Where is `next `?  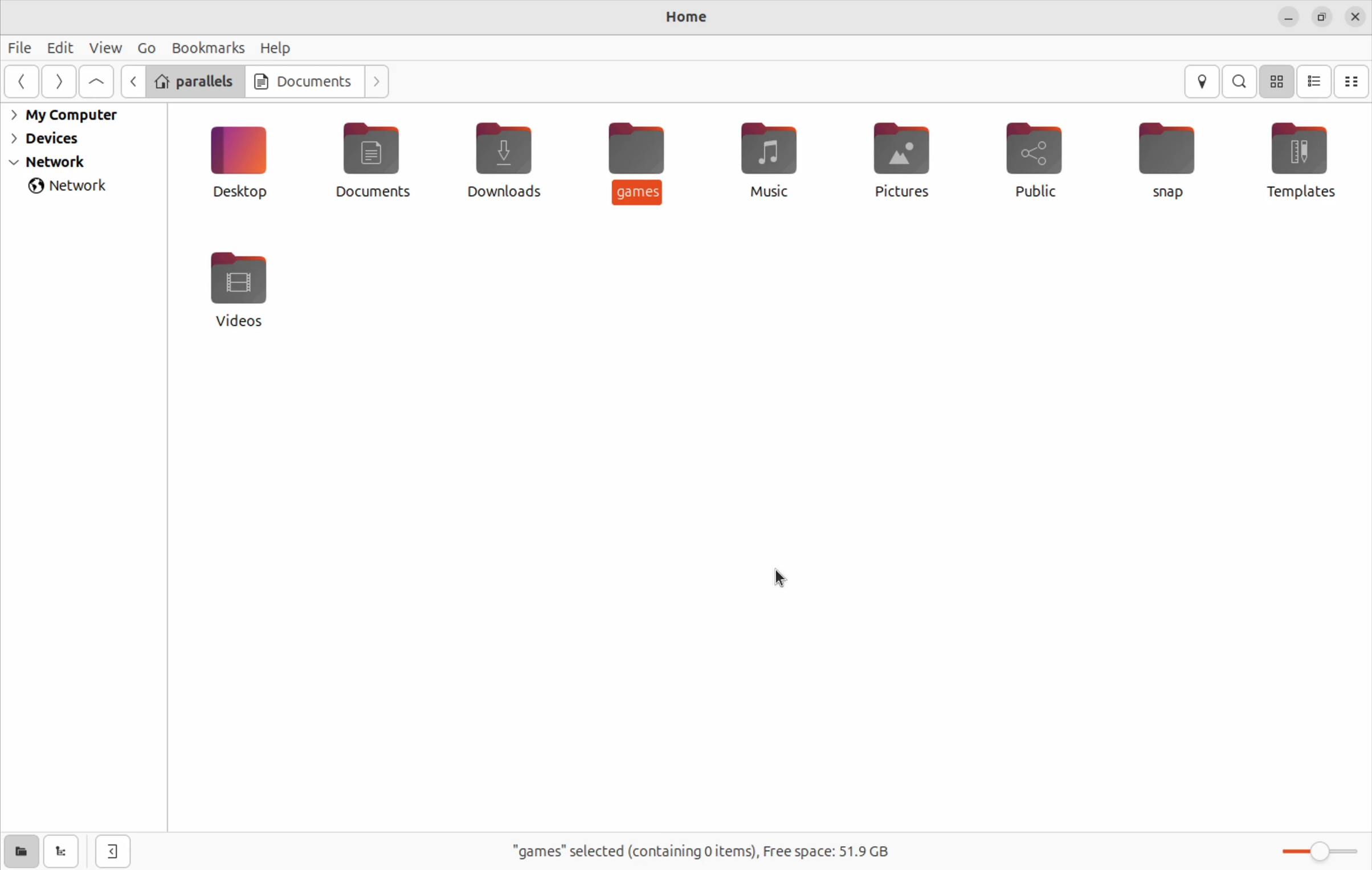 next  is located at coordinates (59, 83).